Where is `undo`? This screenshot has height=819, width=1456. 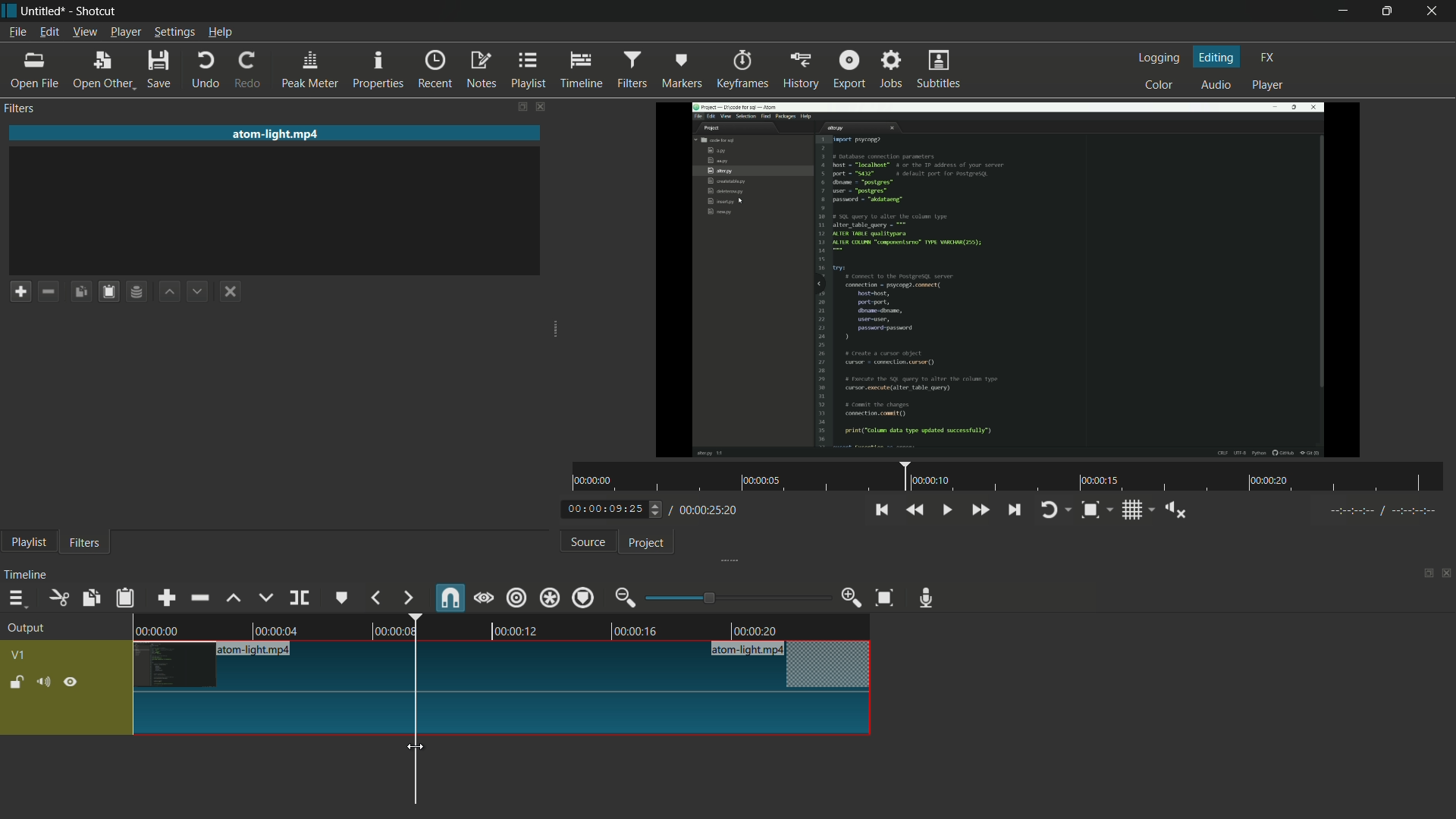
undo is located at coordinates (206, 71).